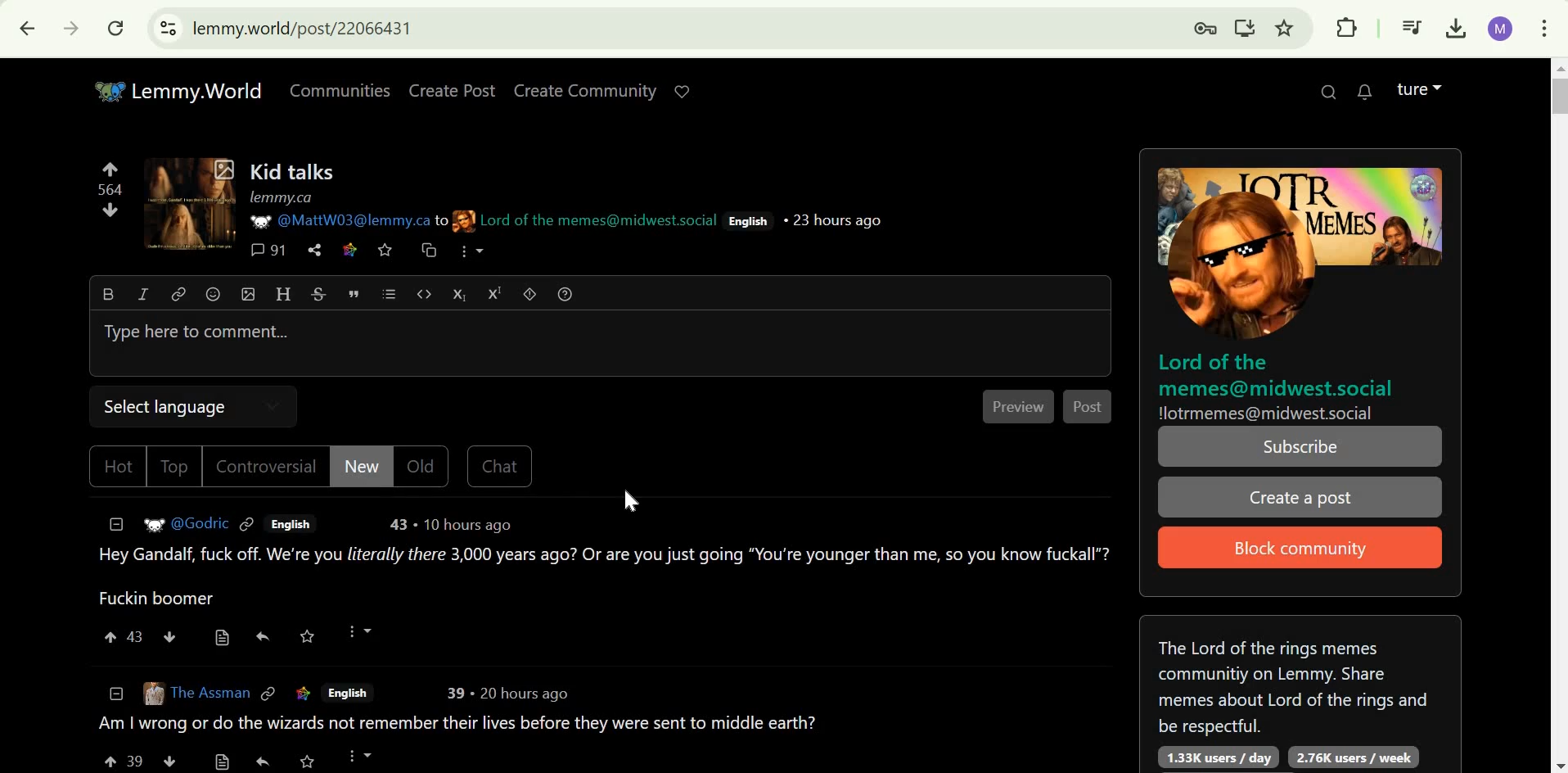 This screenshot has height=773, width=1568. I want to click on 0 unread messages, so click(1365, 92).